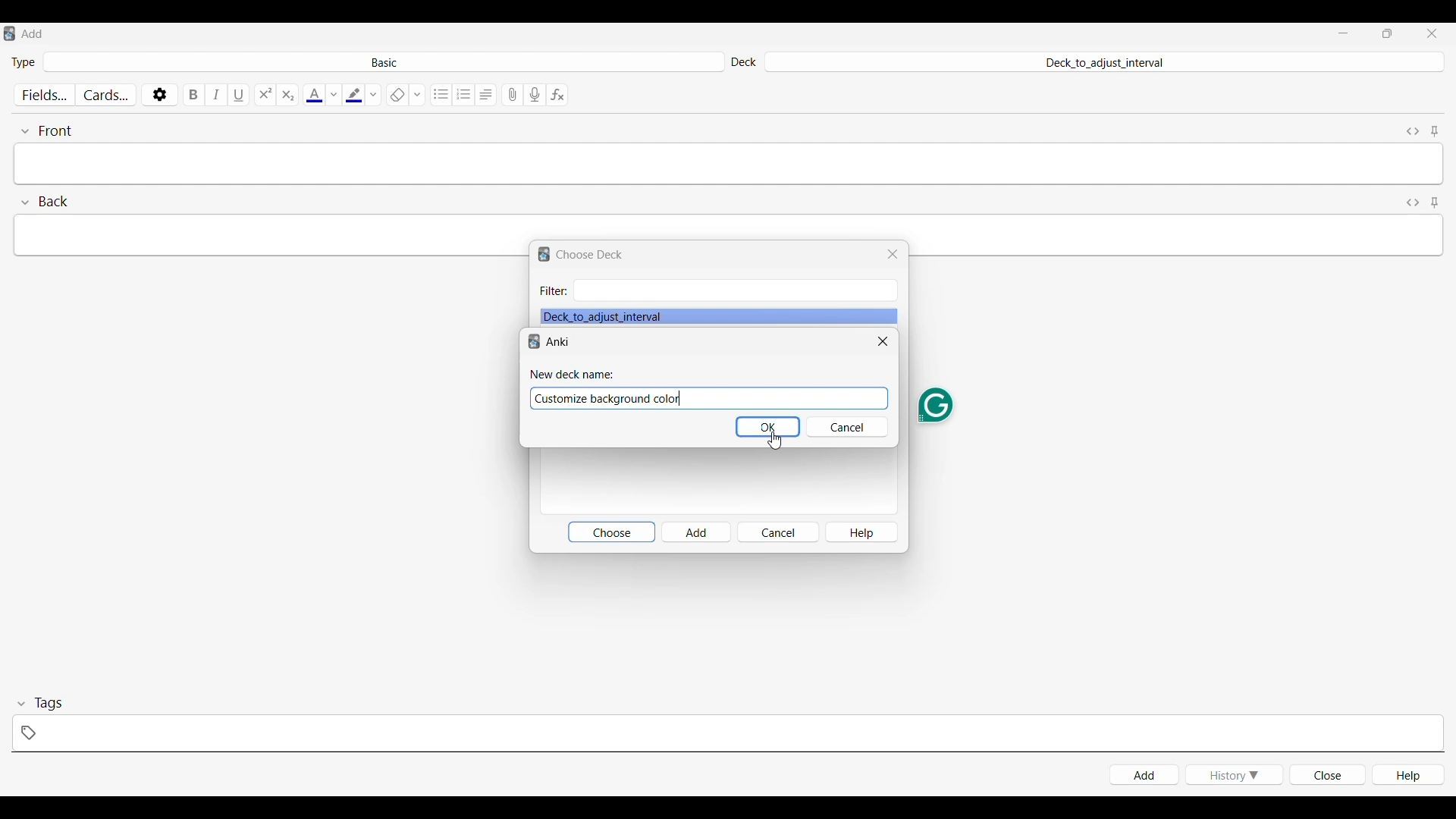 The width and height of the screenshot is (1456, 819). I want to click on Selected highlight color, so click(353, 94).